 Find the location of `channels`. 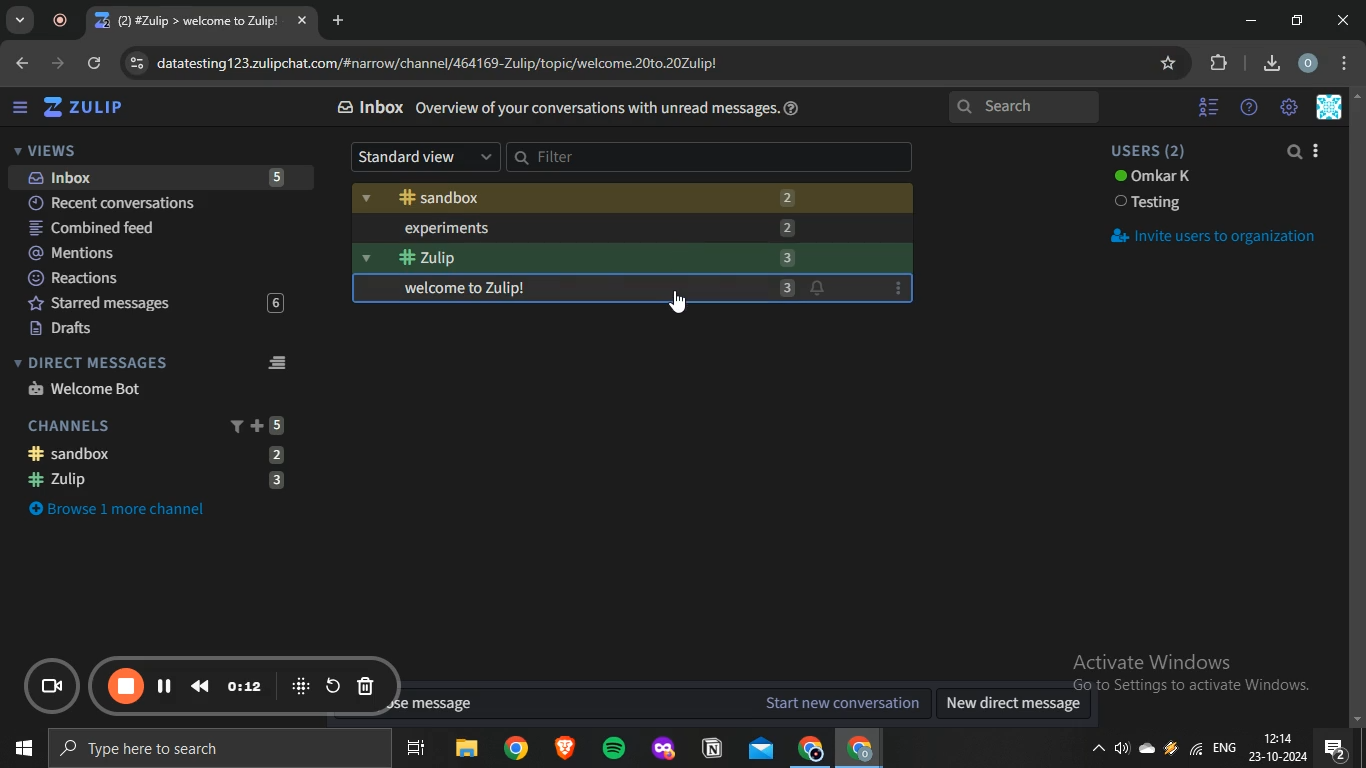

channels is located at coordinates (158, 424).